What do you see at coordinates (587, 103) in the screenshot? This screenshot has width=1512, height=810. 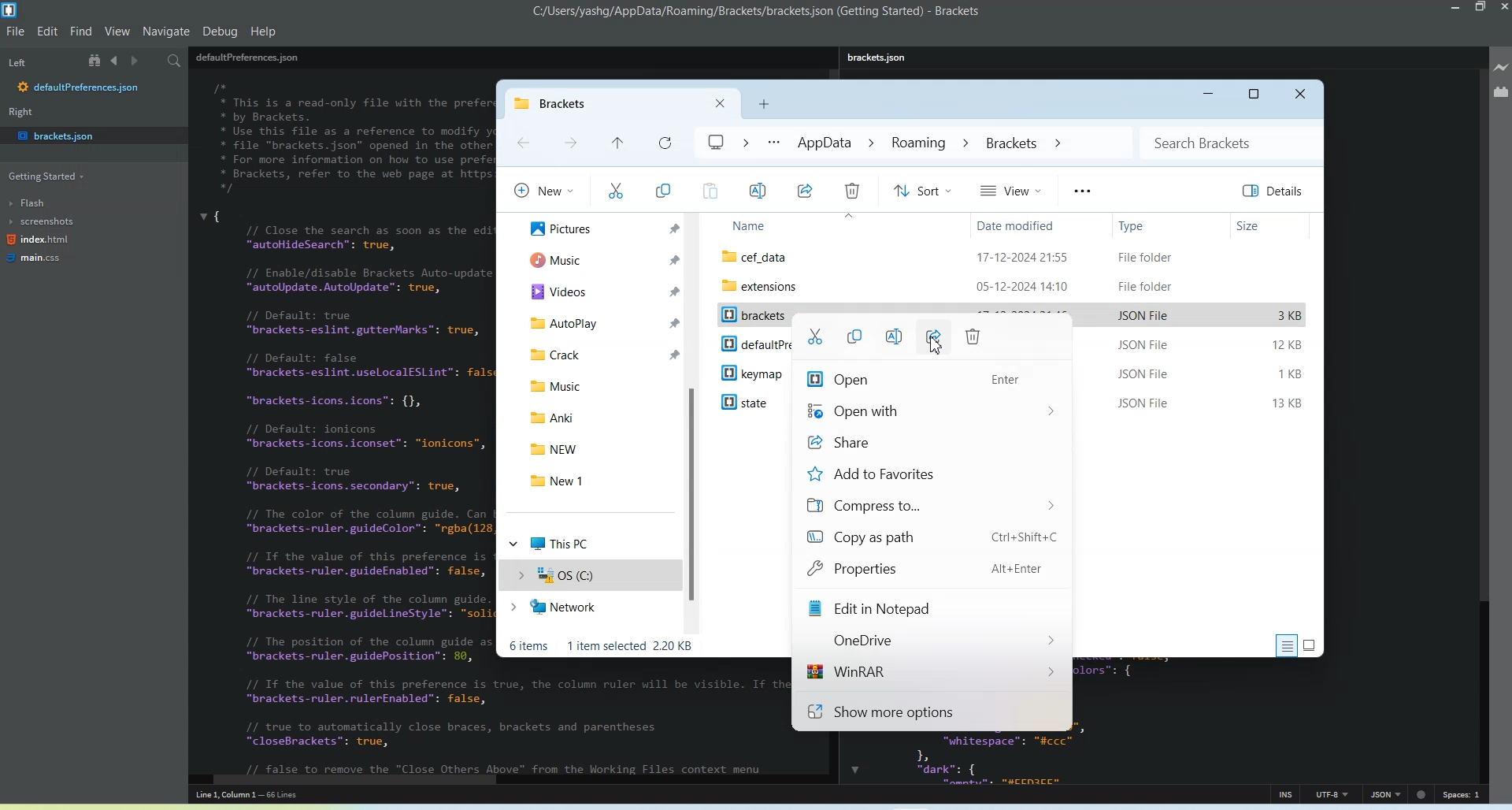 I see `New tab` at bounding box center [587, 103].